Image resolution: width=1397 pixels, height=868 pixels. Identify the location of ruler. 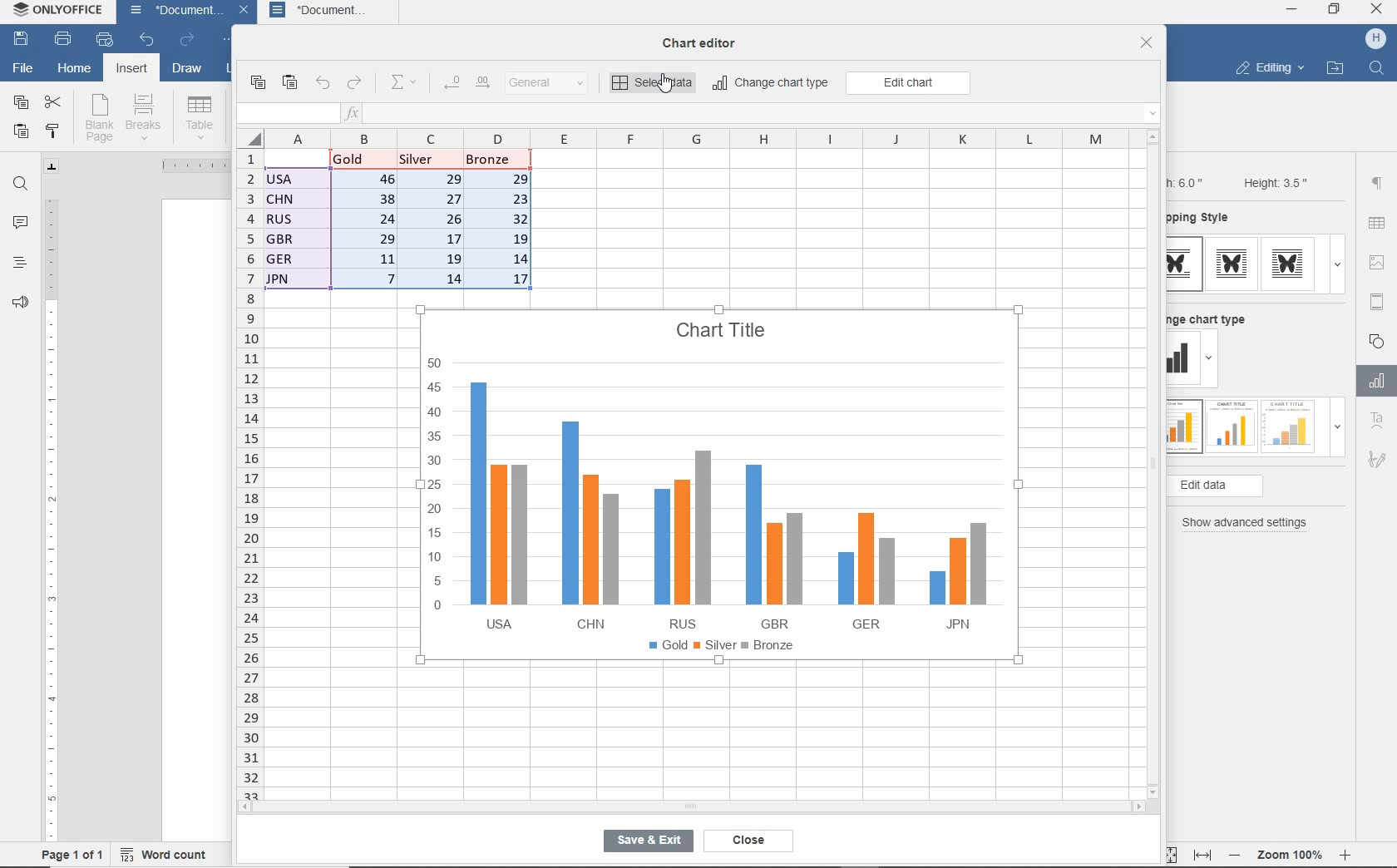
(187, 165).